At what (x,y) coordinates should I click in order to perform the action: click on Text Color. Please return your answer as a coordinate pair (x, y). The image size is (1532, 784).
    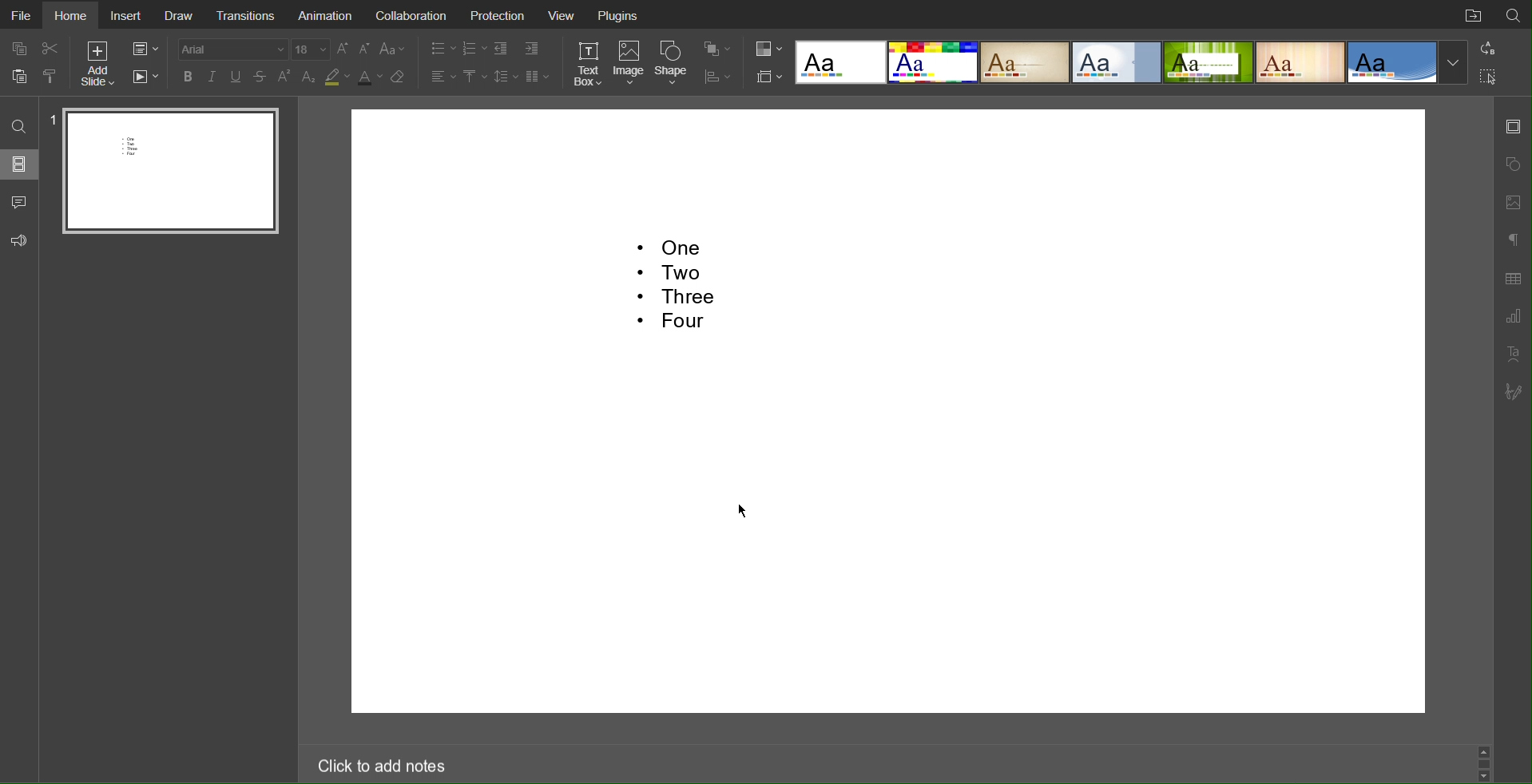
    Looking at the image, I should click on (371, 77).